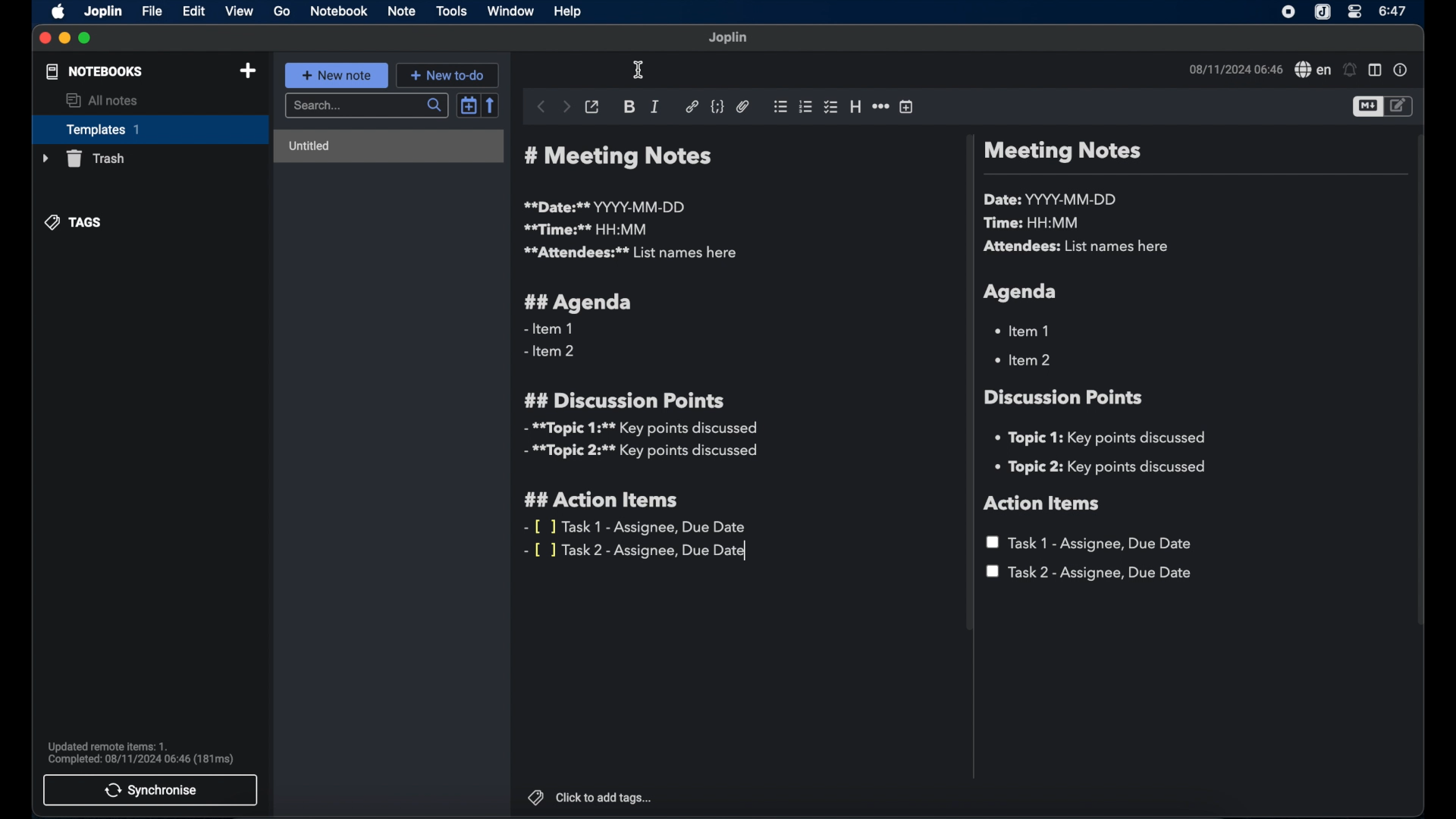  What do you see at coordinates (629, 108) in the screenshot?
I see `bold` at bounding box center [629, 108].